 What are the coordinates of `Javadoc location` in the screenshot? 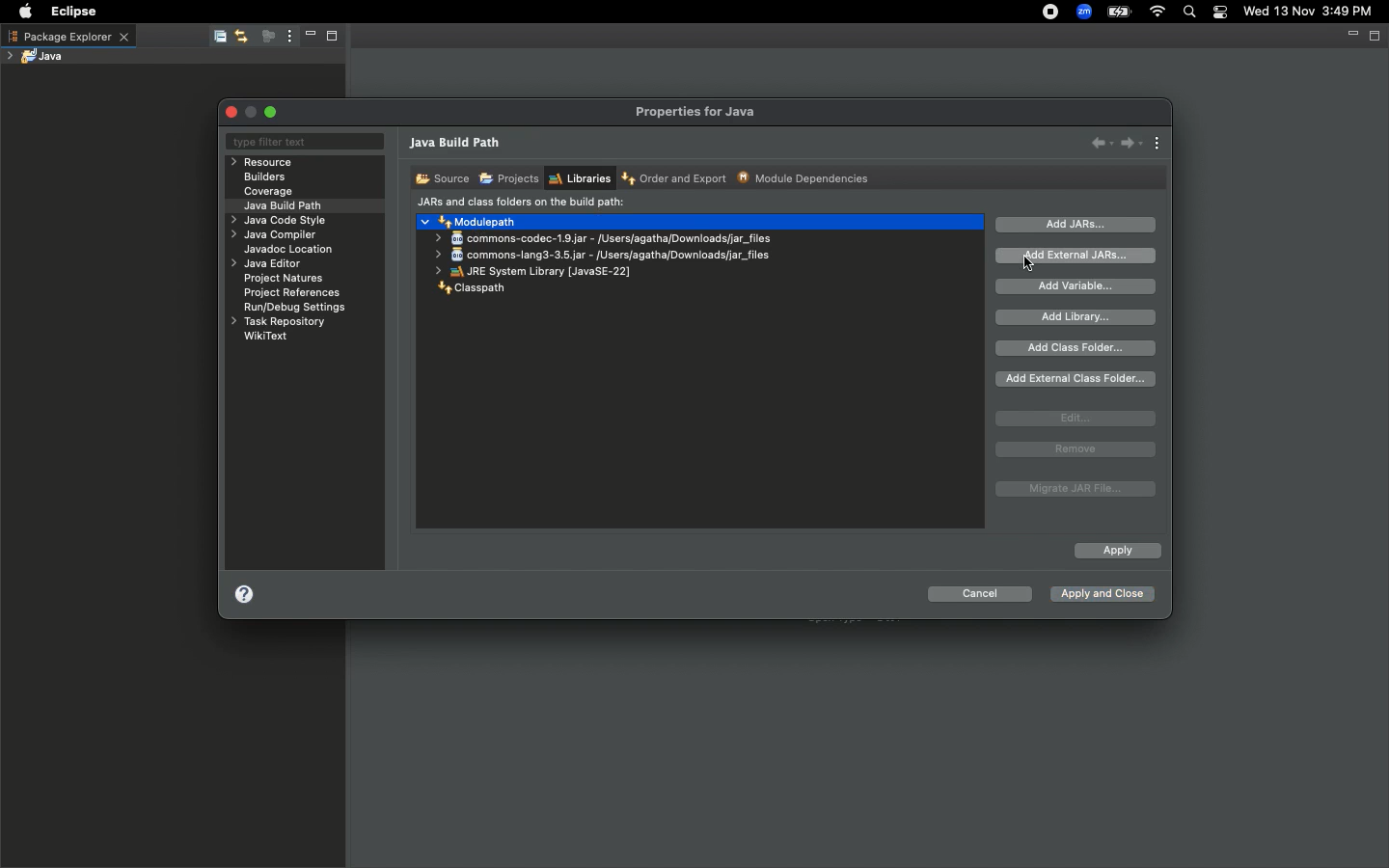 It's located at (290, 251).